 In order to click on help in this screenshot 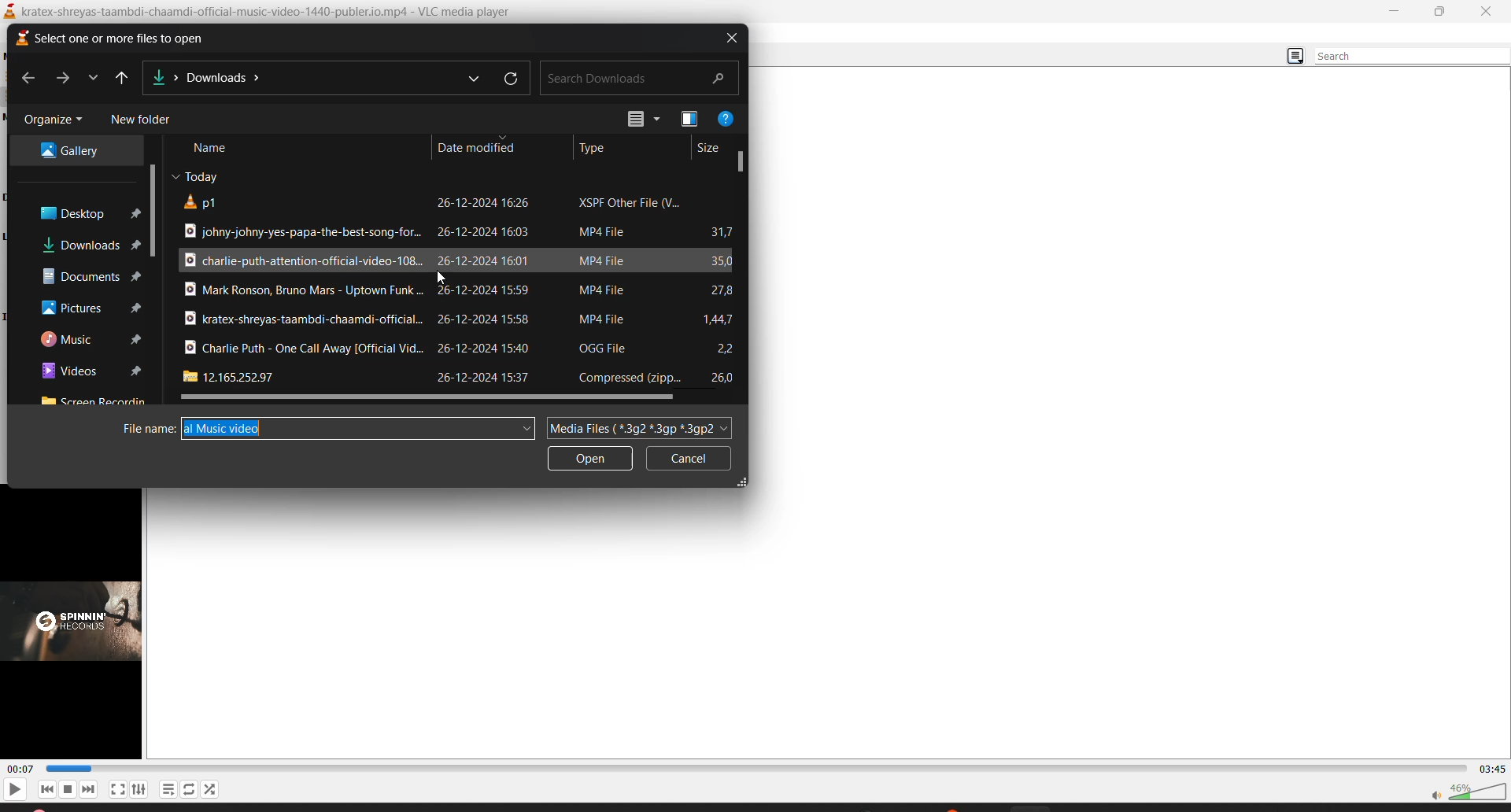, I will do `click(726, 118)`.